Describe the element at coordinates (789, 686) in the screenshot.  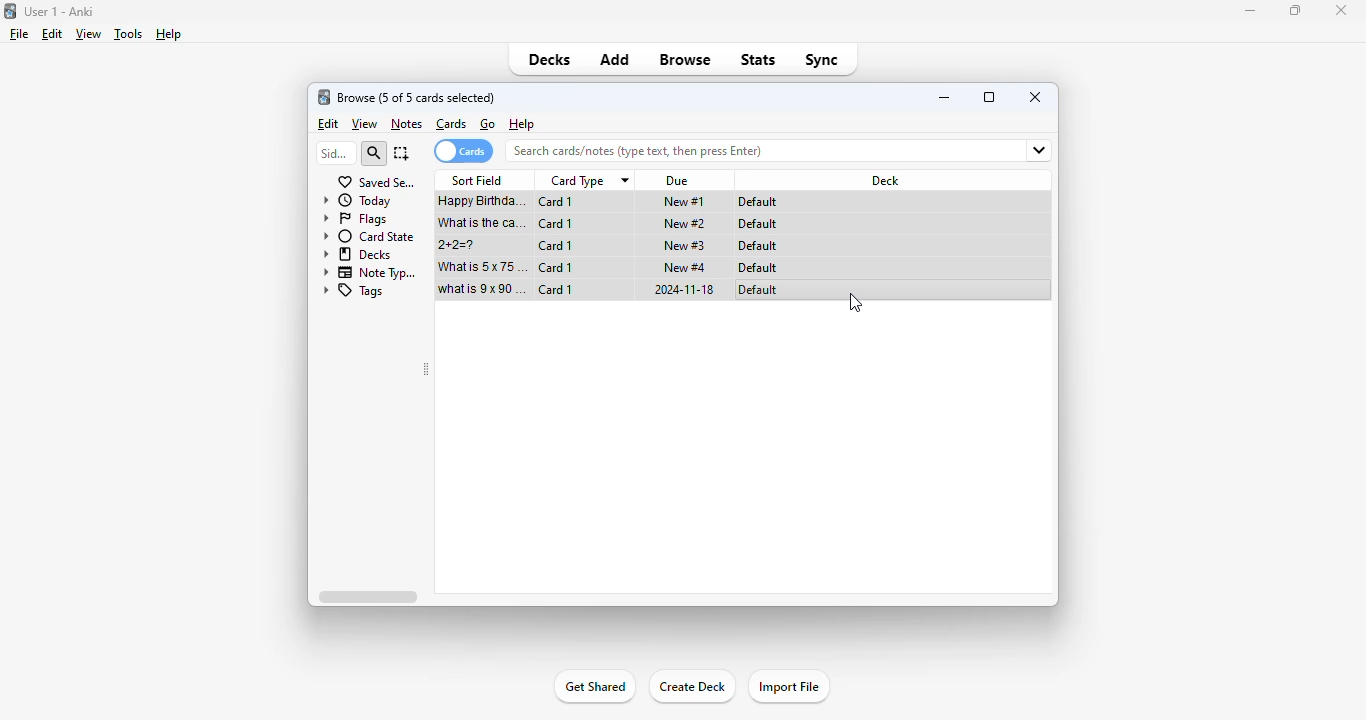
I see `import file` at that location.